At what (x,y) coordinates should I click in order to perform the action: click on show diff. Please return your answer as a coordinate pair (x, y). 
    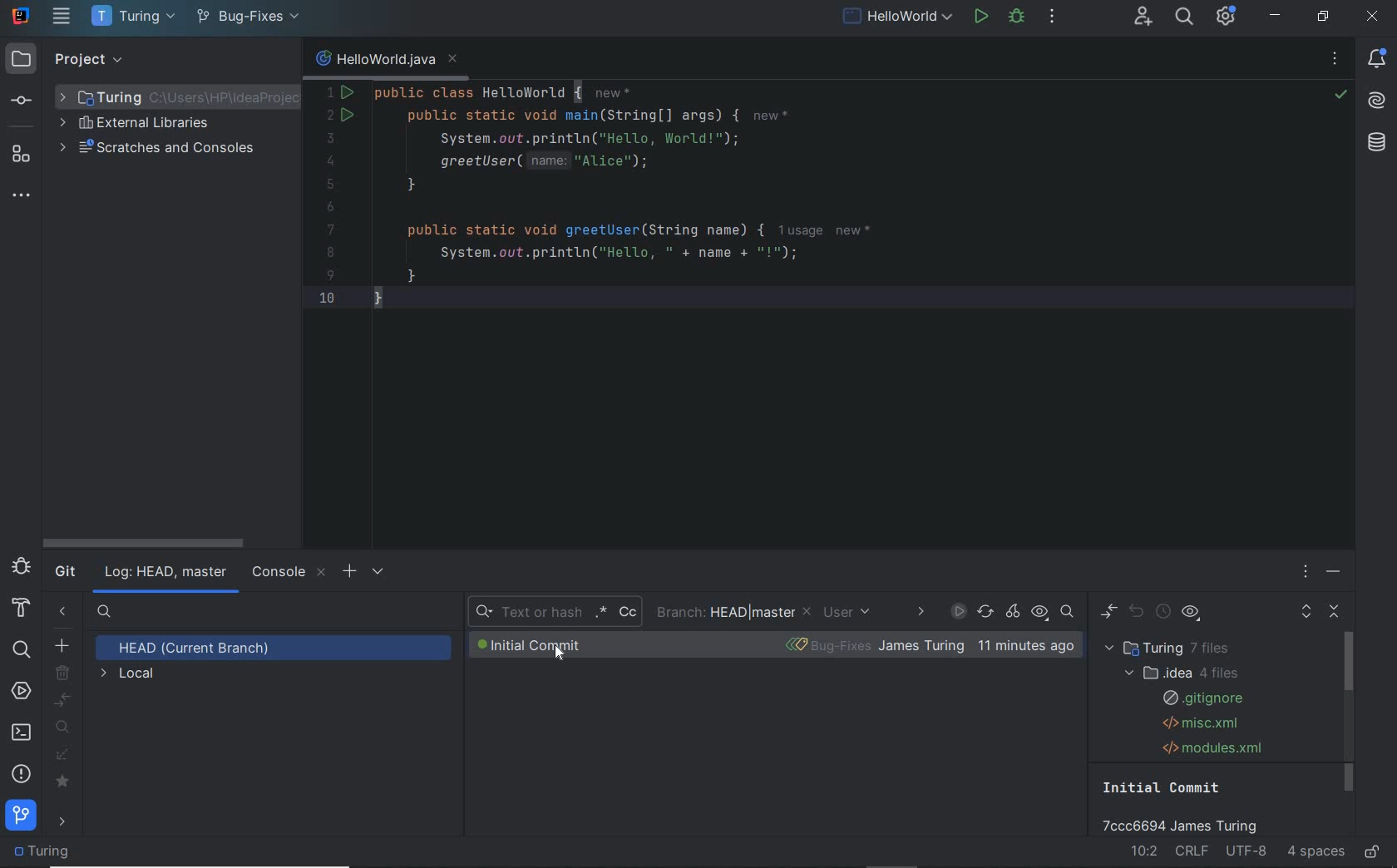
    Looking at the image, I should click on (1108, 612).